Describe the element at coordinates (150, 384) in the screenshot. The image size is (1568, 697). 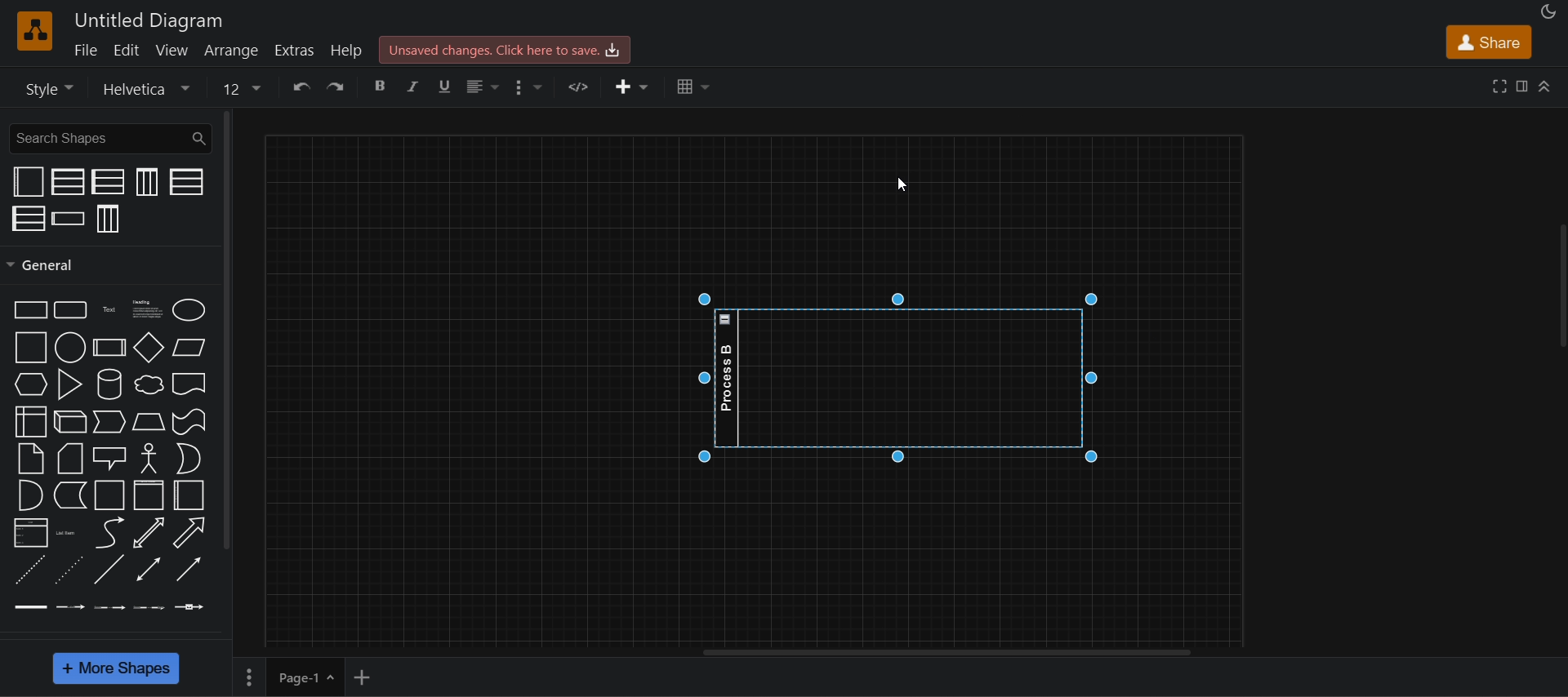
I see `cloud` at that location.